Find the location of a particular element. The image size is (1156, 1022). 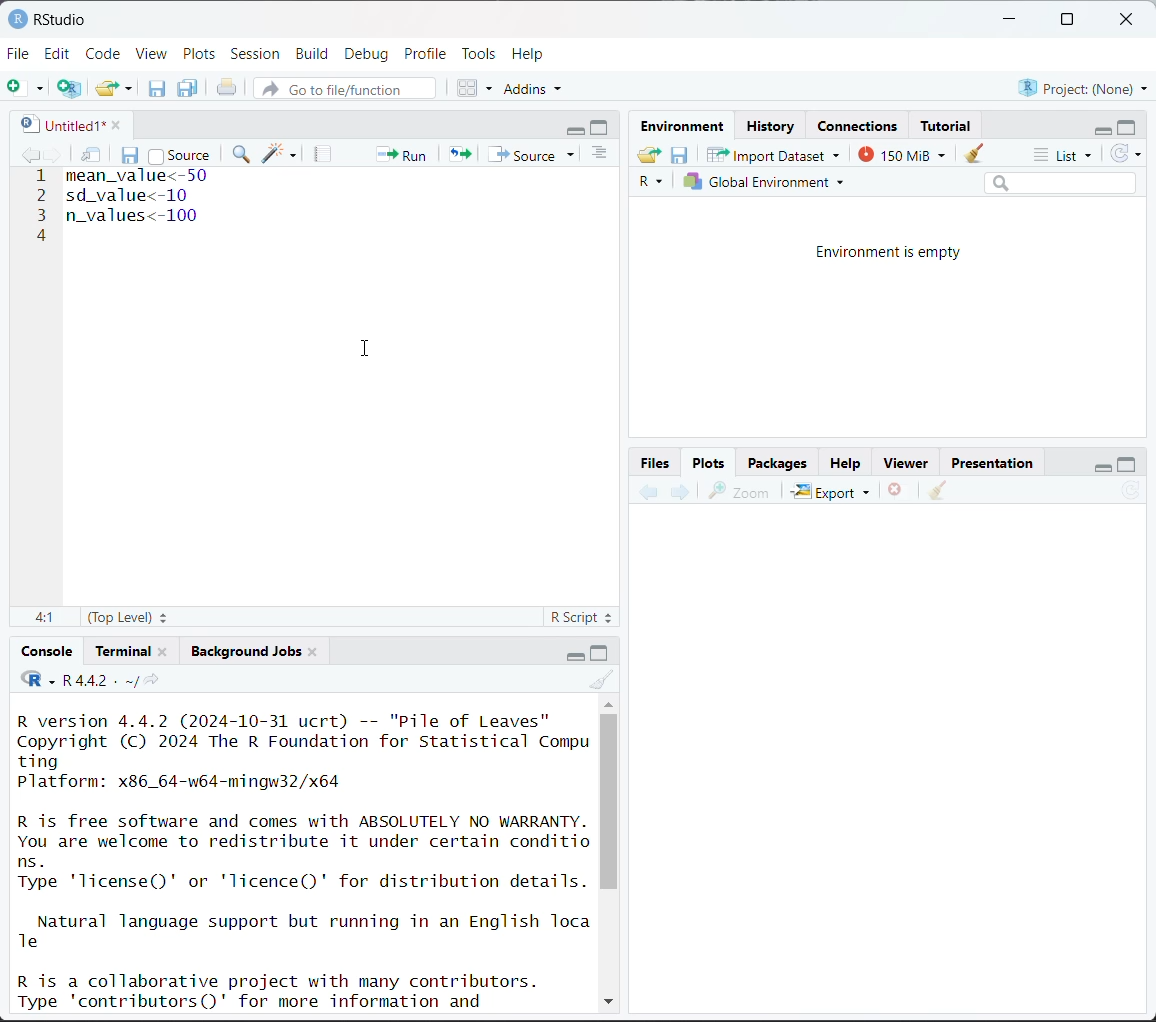

n_values<-100 is located at coordinates (133, 216).